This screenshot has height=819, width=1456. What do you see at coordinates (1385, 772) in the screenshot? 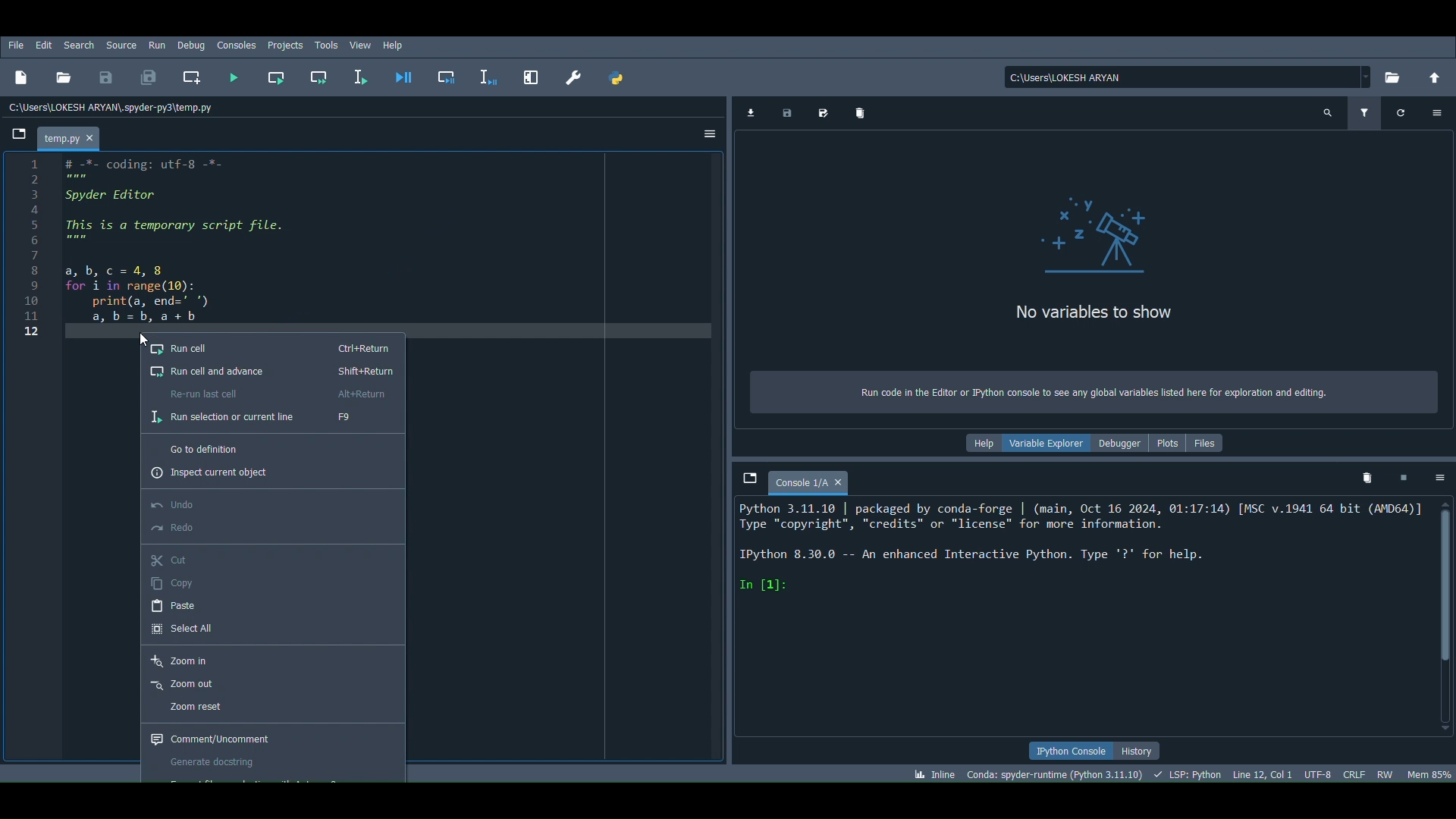
I see `File permissions` at bounding box center [1385, 772].